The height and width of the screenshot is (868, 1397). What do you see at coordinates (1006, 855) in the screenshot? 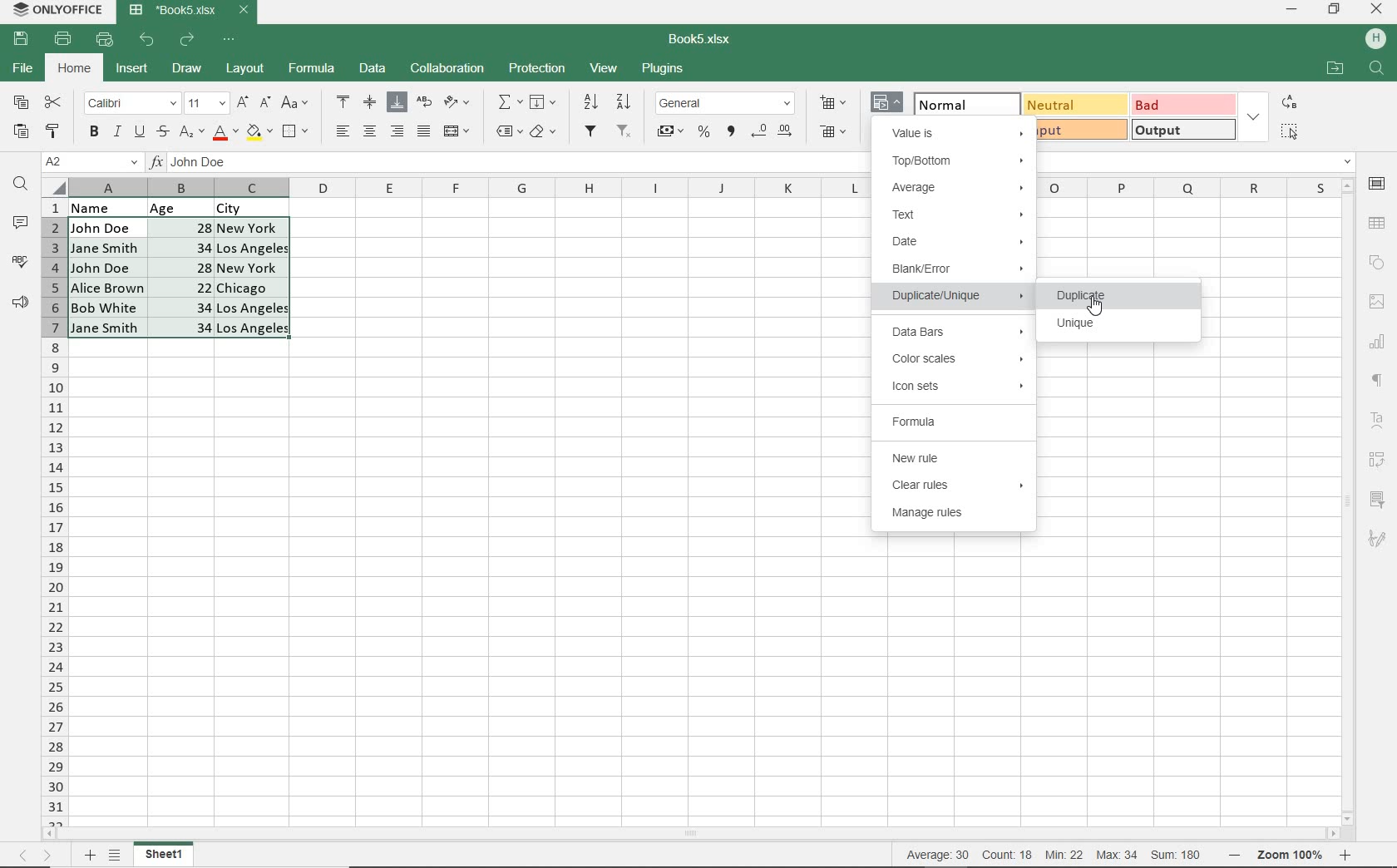
I see `count` at bounding box center [1006, 855].